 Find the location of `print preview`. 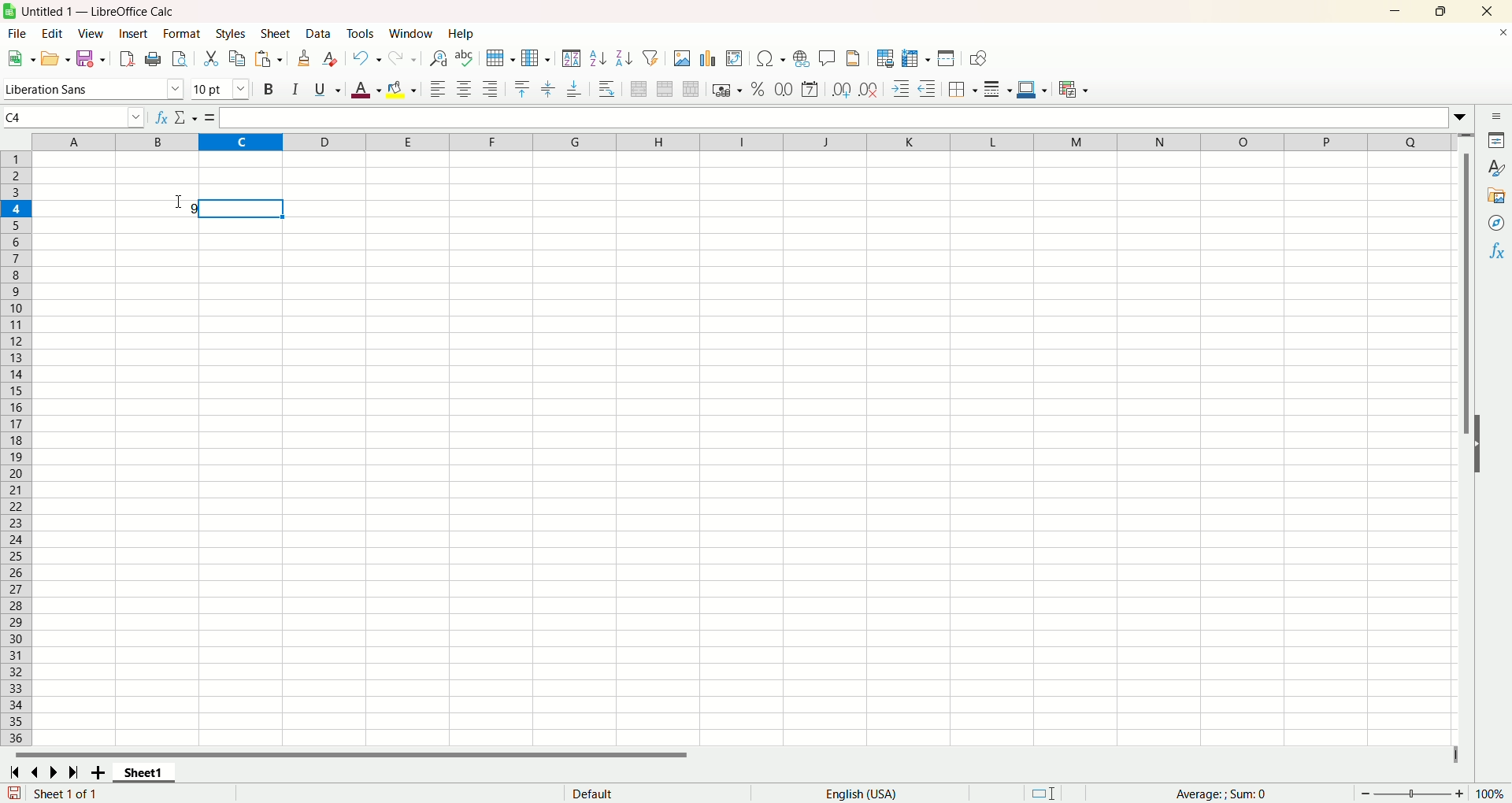

print preview is located at coordinates (179, 61).